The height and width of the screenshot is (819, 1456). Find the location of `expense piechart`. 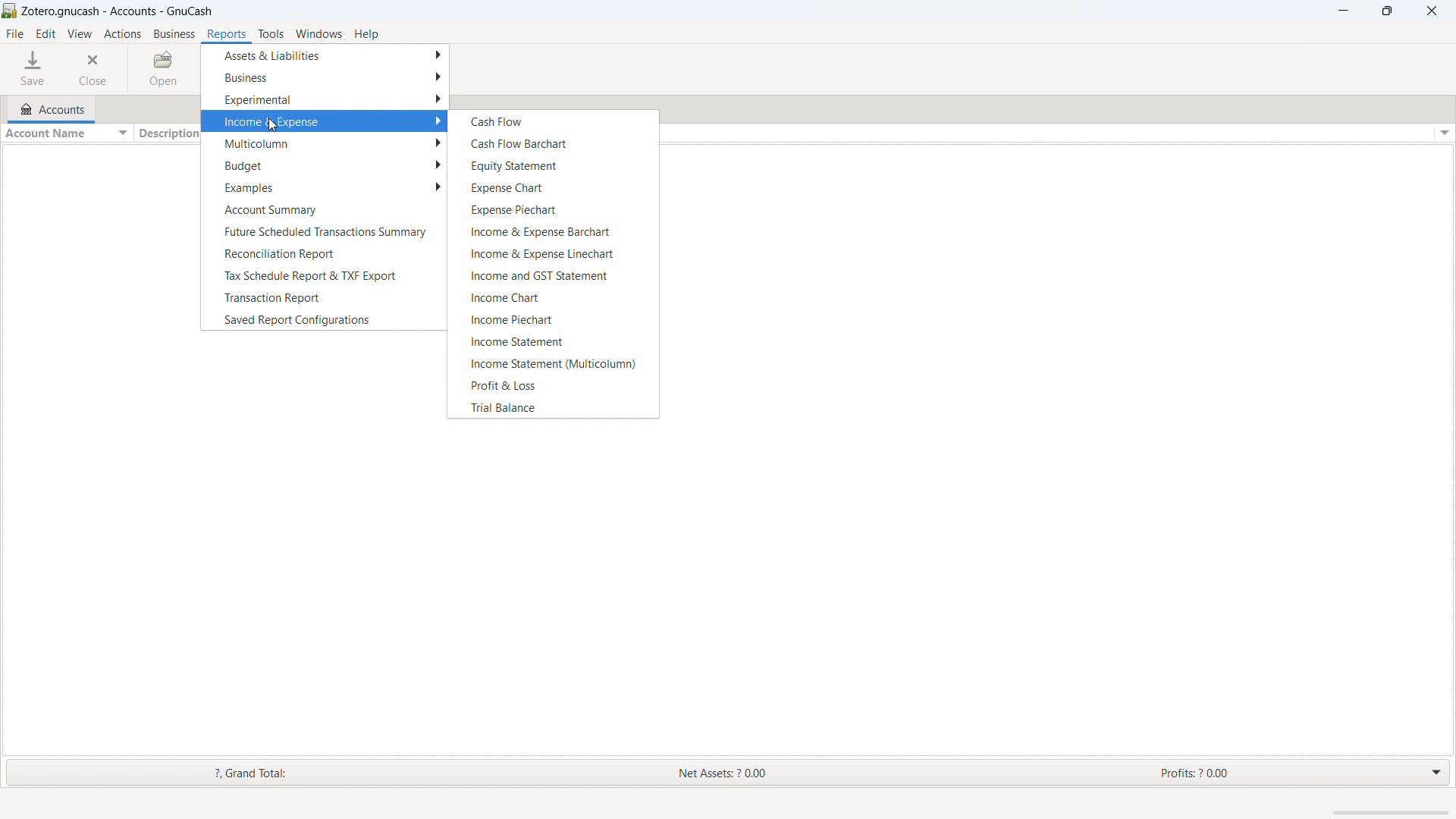

expense piechart is located at coordinates (553, 208).